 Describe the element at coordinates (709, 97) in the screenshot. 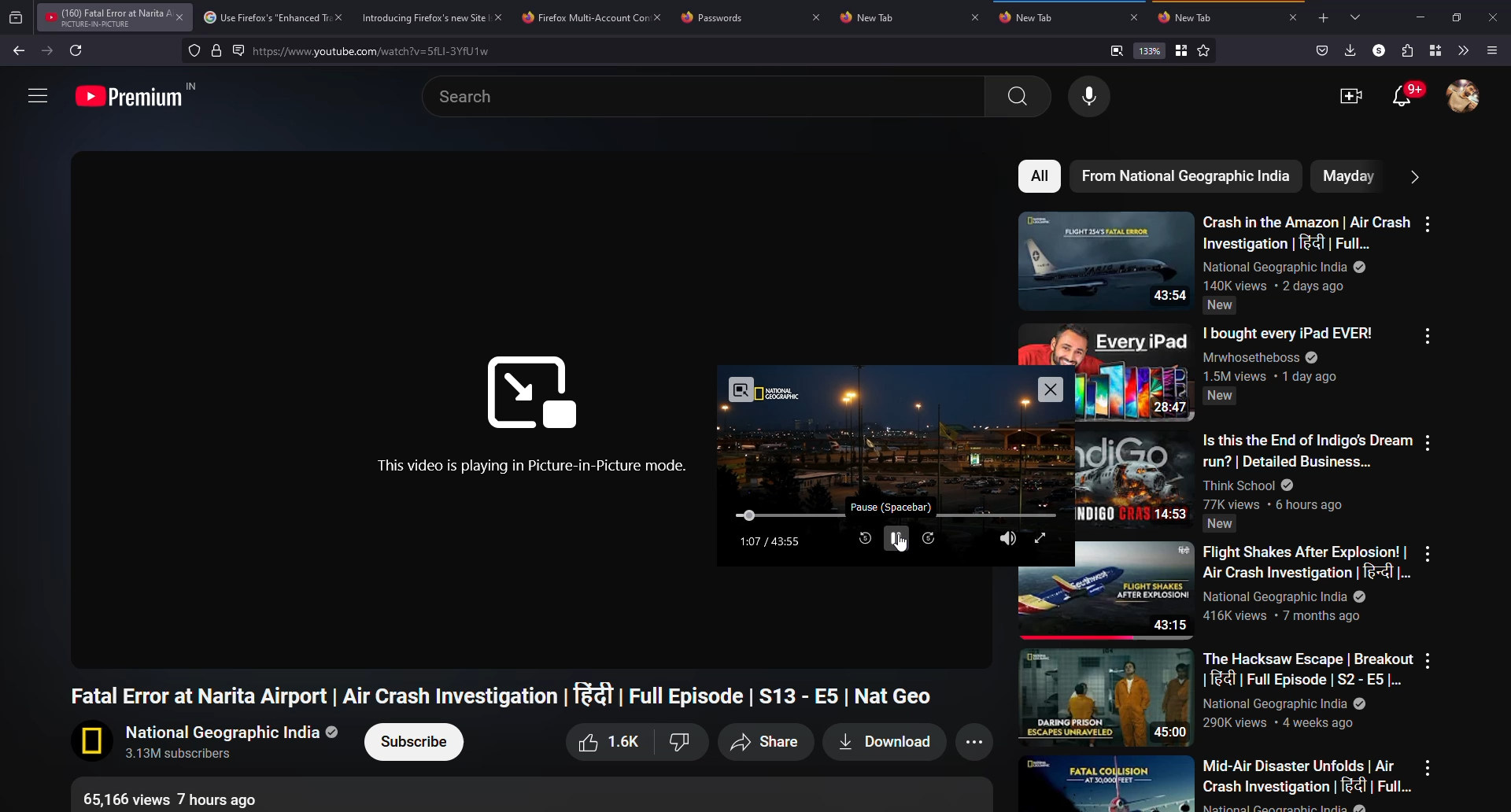

I see `search` at that location.